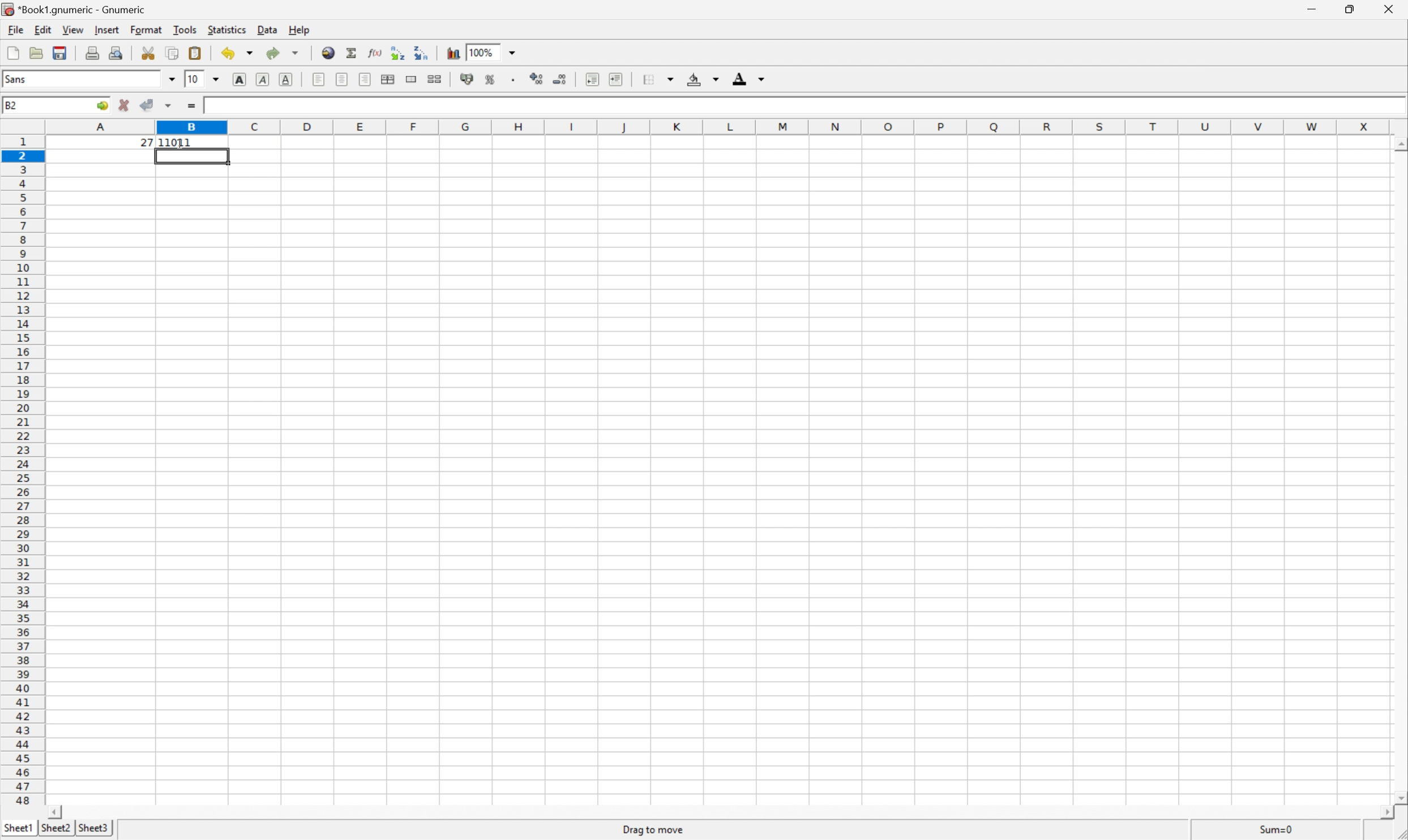  Describe the element at coordinates (537, 77) in the screenshot. I see `Increase the decimals displayed` at that location.